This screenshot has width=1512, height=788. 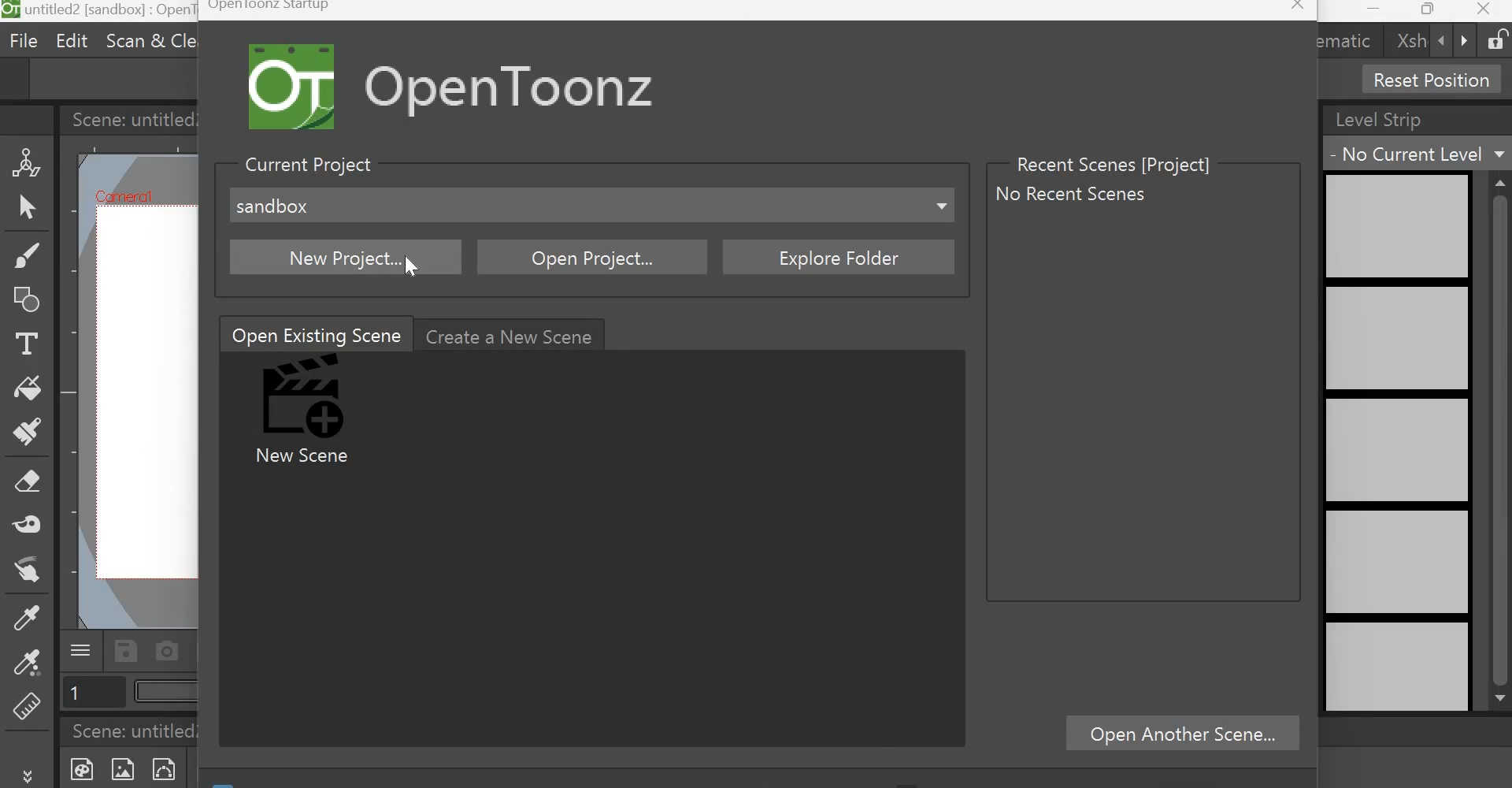 What do you see at coordinates (29, 300) in the screenshot?
I see `Geometric Tool` at bounding box center [29, 300].